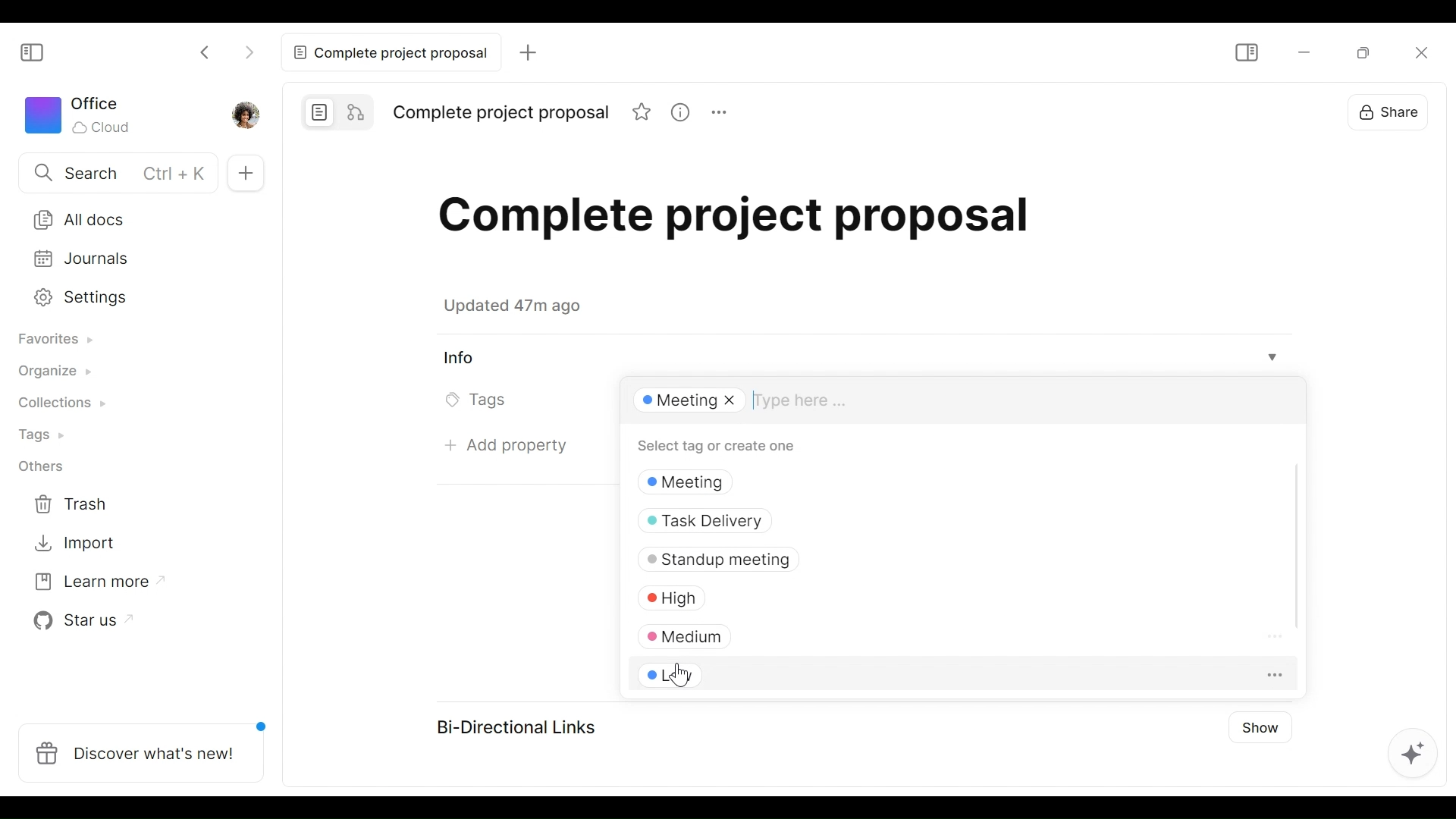 This screenshot has width=1456, height=819. Describe the element at coordinates (525, 52) in the screenshot. I see `Add` at that location.